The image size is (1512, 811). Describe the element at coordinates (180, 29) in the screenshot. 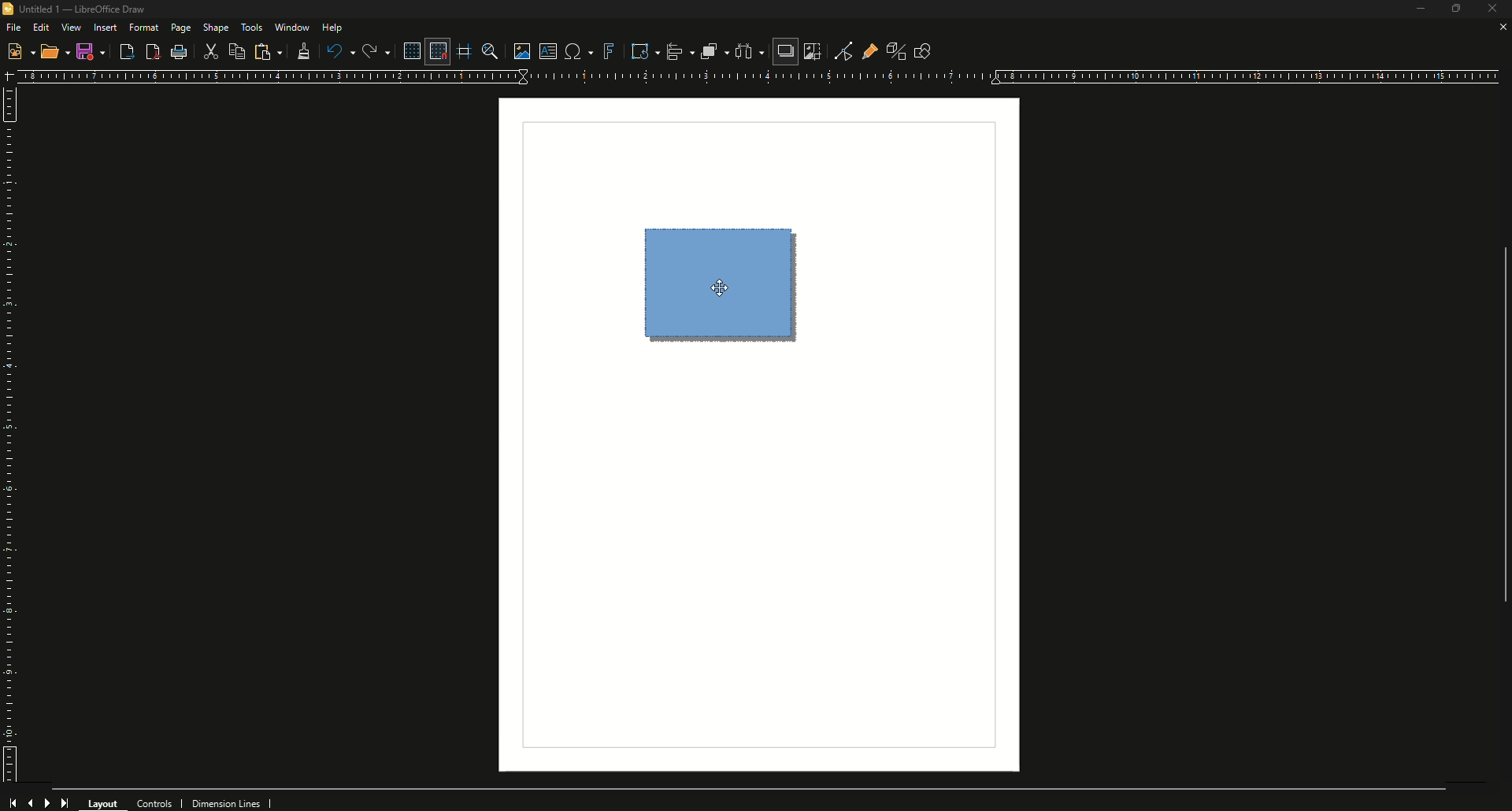

I see `Page` at that location.